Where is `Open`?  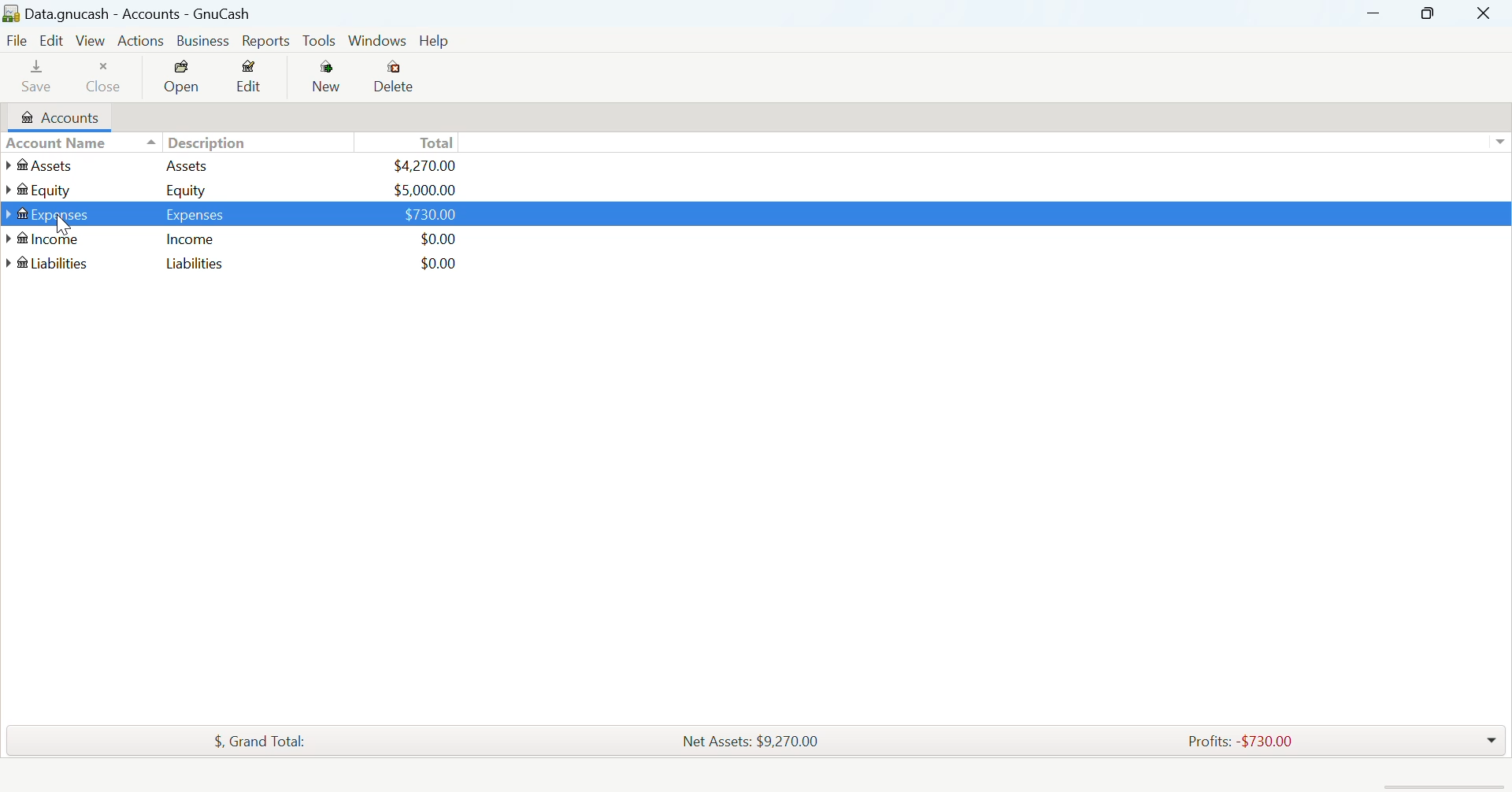 Open is located at coordinates (188, 80).